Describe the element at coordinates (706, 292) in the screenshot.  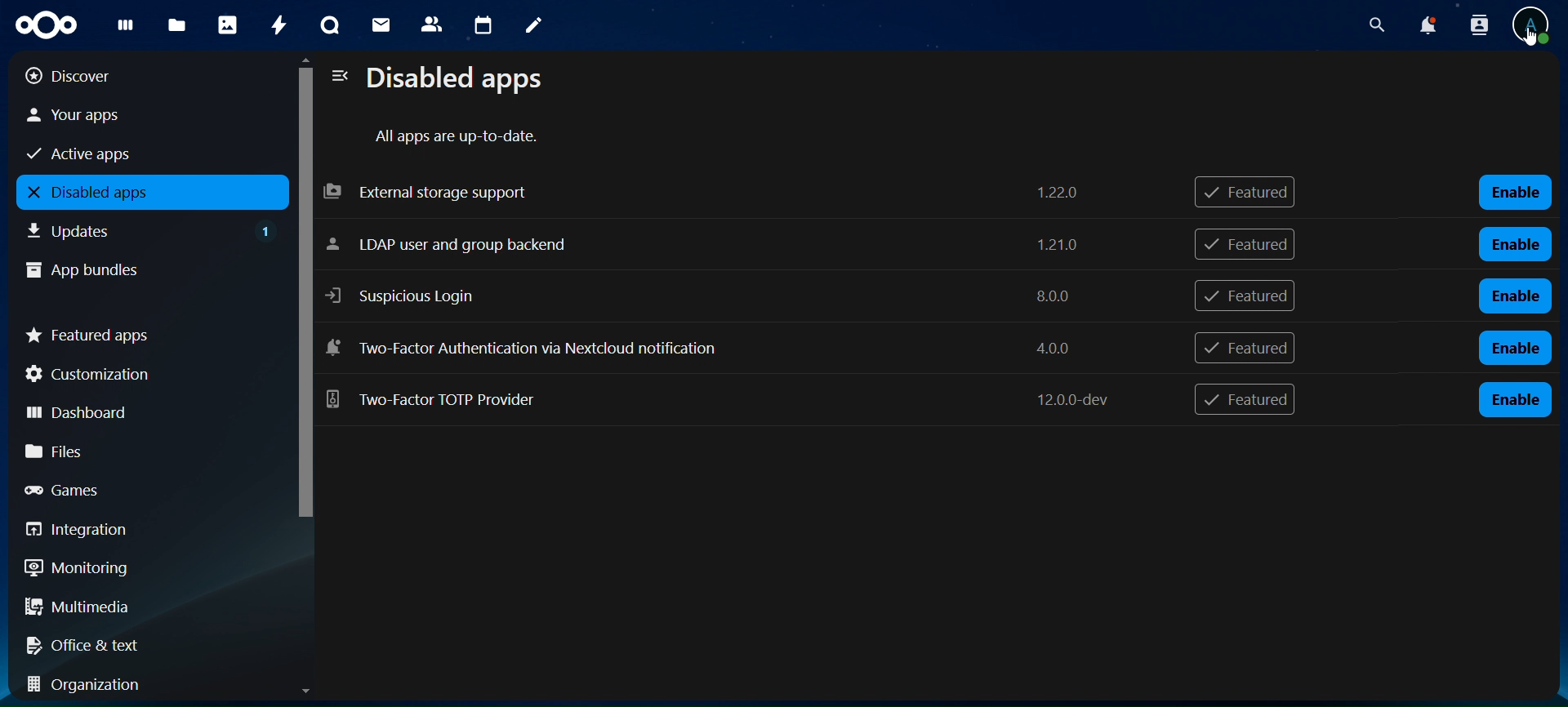
I see `suspicious login` at that location.